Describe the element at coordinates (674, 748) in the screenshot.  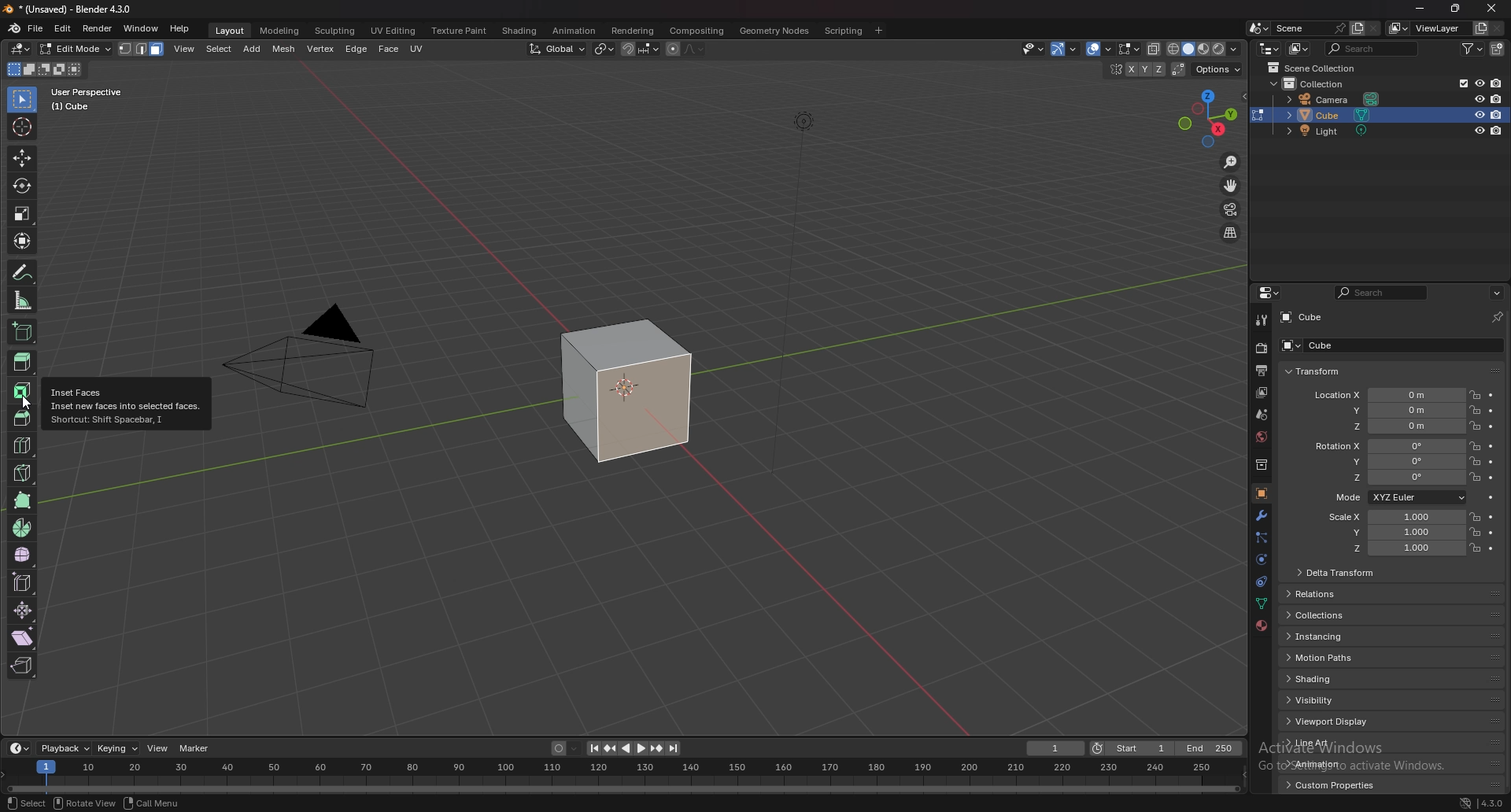
I see `jump to endpoint` at that location.